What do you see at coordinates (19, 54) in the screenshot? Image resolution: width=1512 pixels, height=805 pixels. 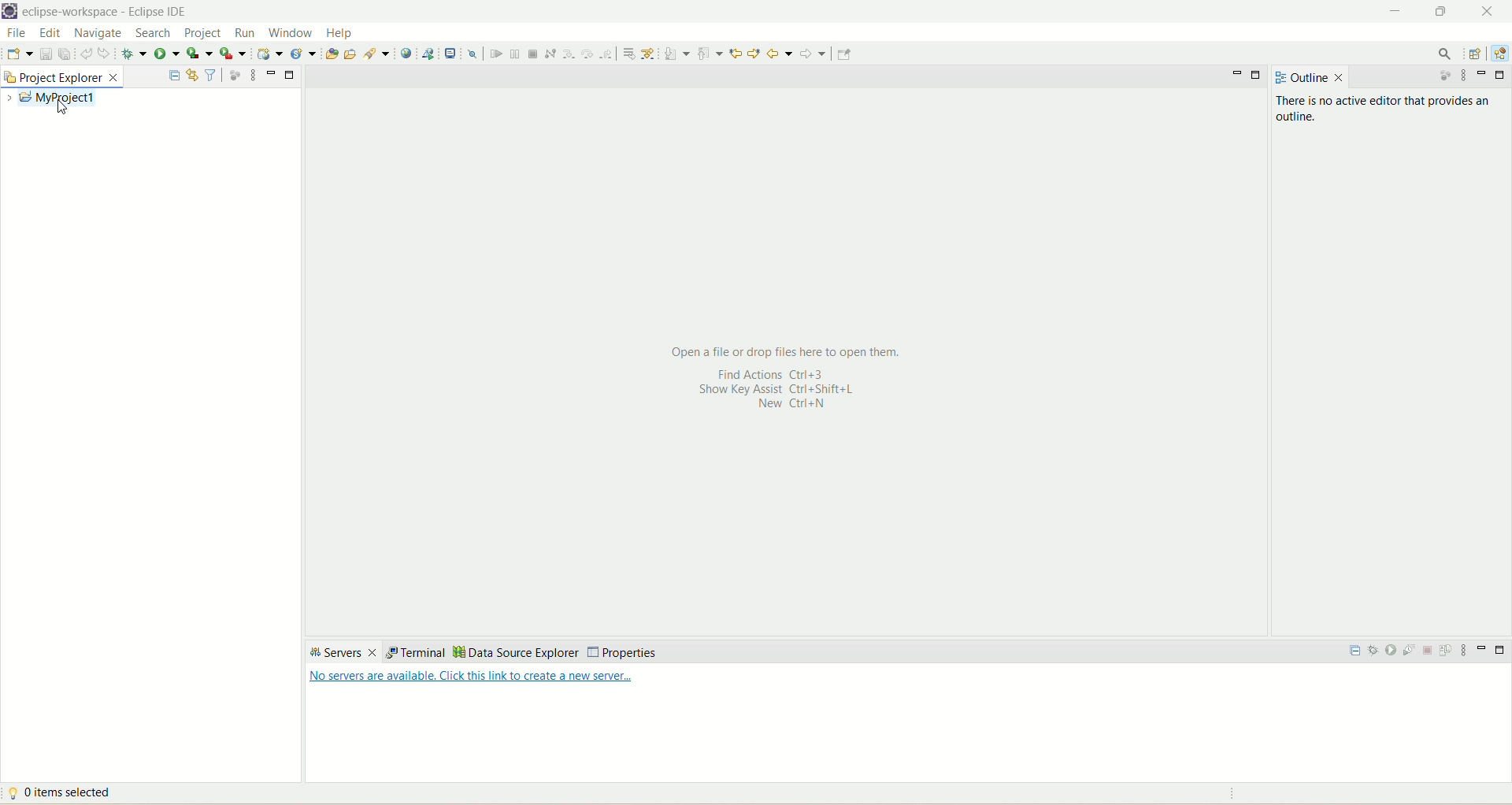 I see `save` at bounding box center [19, 54].